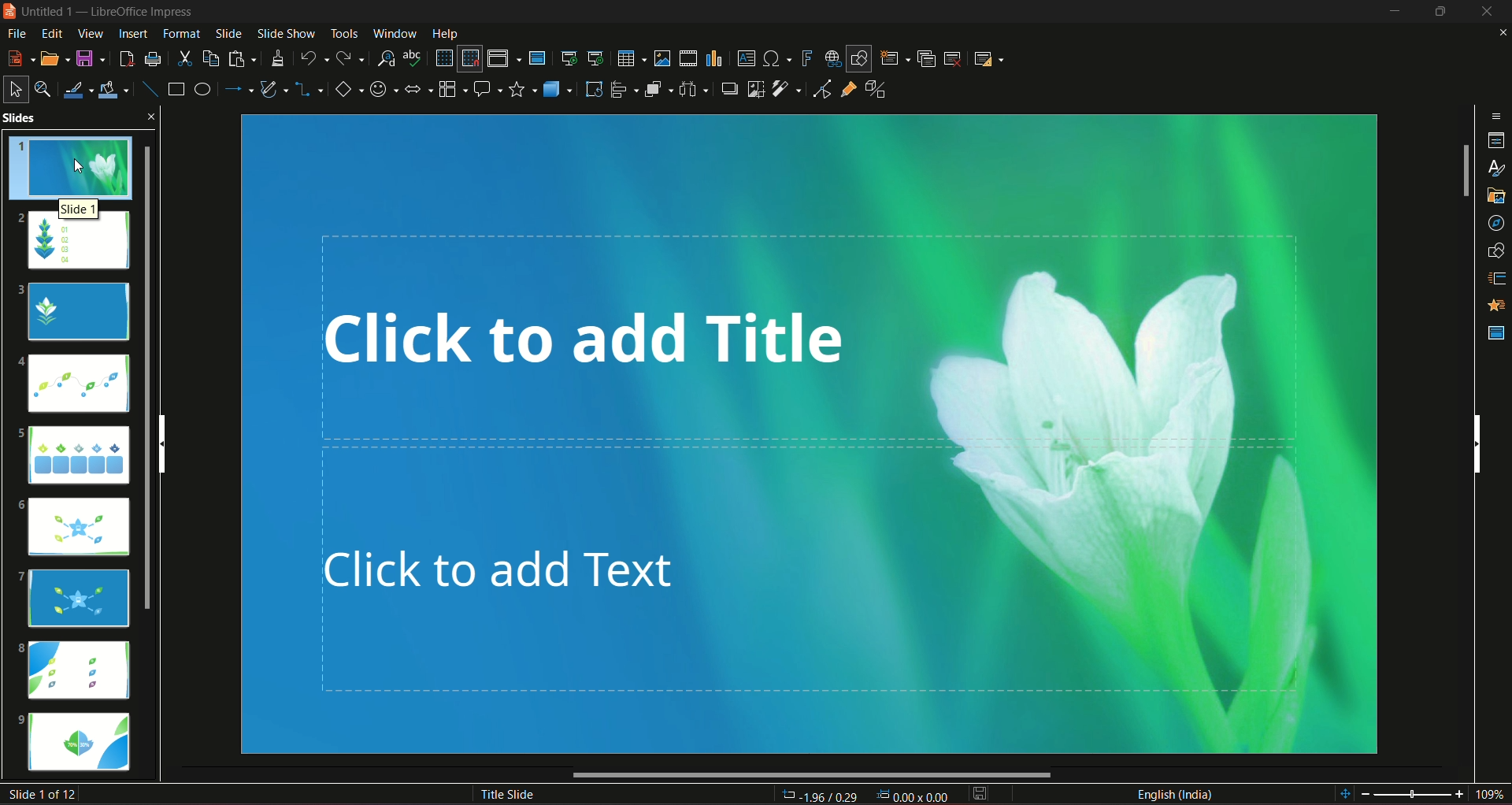 The width and height of the screenshot is (1512, 805). Describe the element at coordinates (785, 89) in the screenshot. I see `filter` at that location.